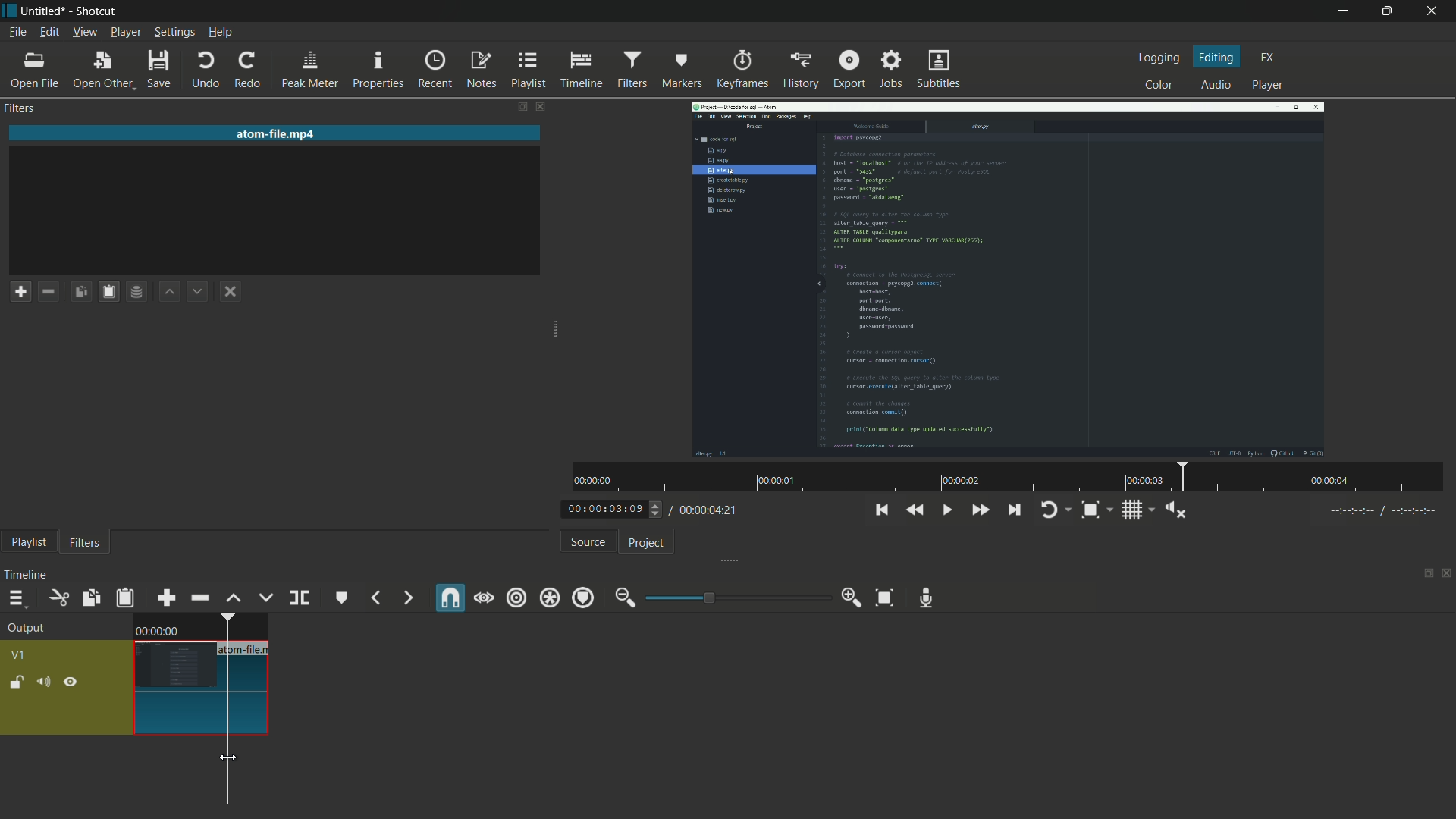 The height and width of the screenshot is (819, 1456). I want to click on toggle play or pause, so click(947, 510).